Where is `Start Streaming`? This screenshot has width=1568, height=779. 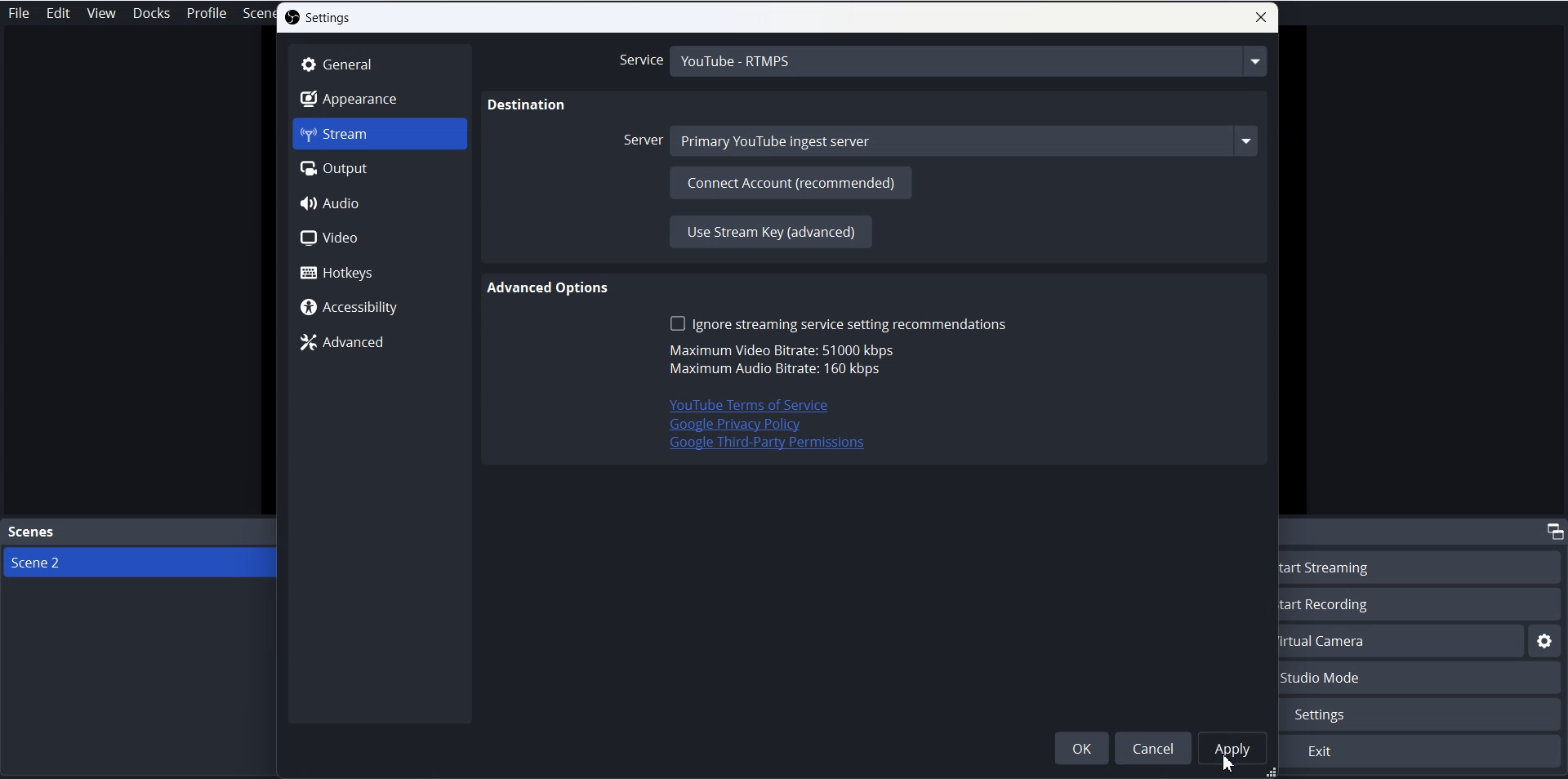
Start Streaming is located at coordinates (1424, 566).